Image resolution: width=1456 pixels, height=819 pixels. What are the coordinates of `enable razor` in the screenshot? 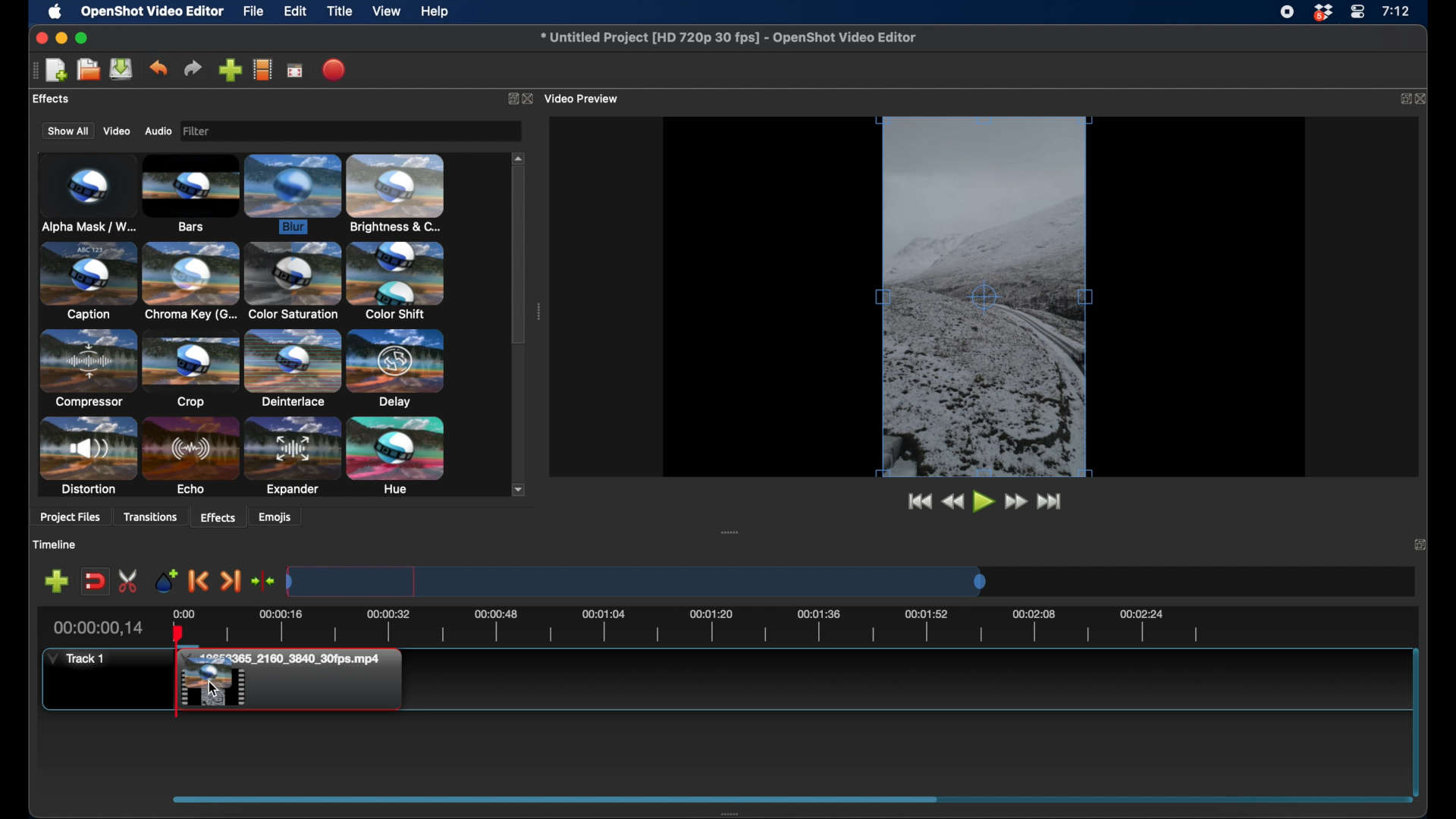 It's located at (129, 580).